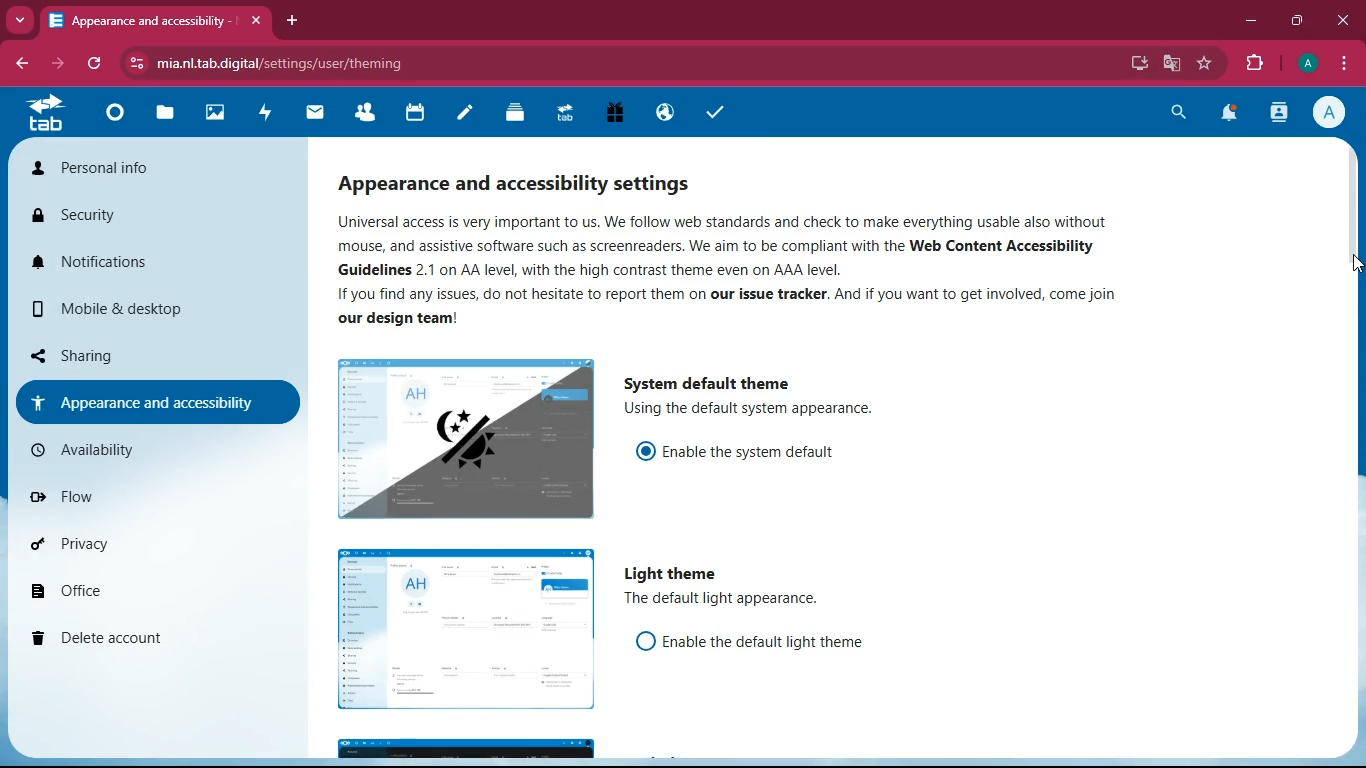 The width and height of the screenshot is (1366, 768). I want to click on notifications, so click(1228, 116).